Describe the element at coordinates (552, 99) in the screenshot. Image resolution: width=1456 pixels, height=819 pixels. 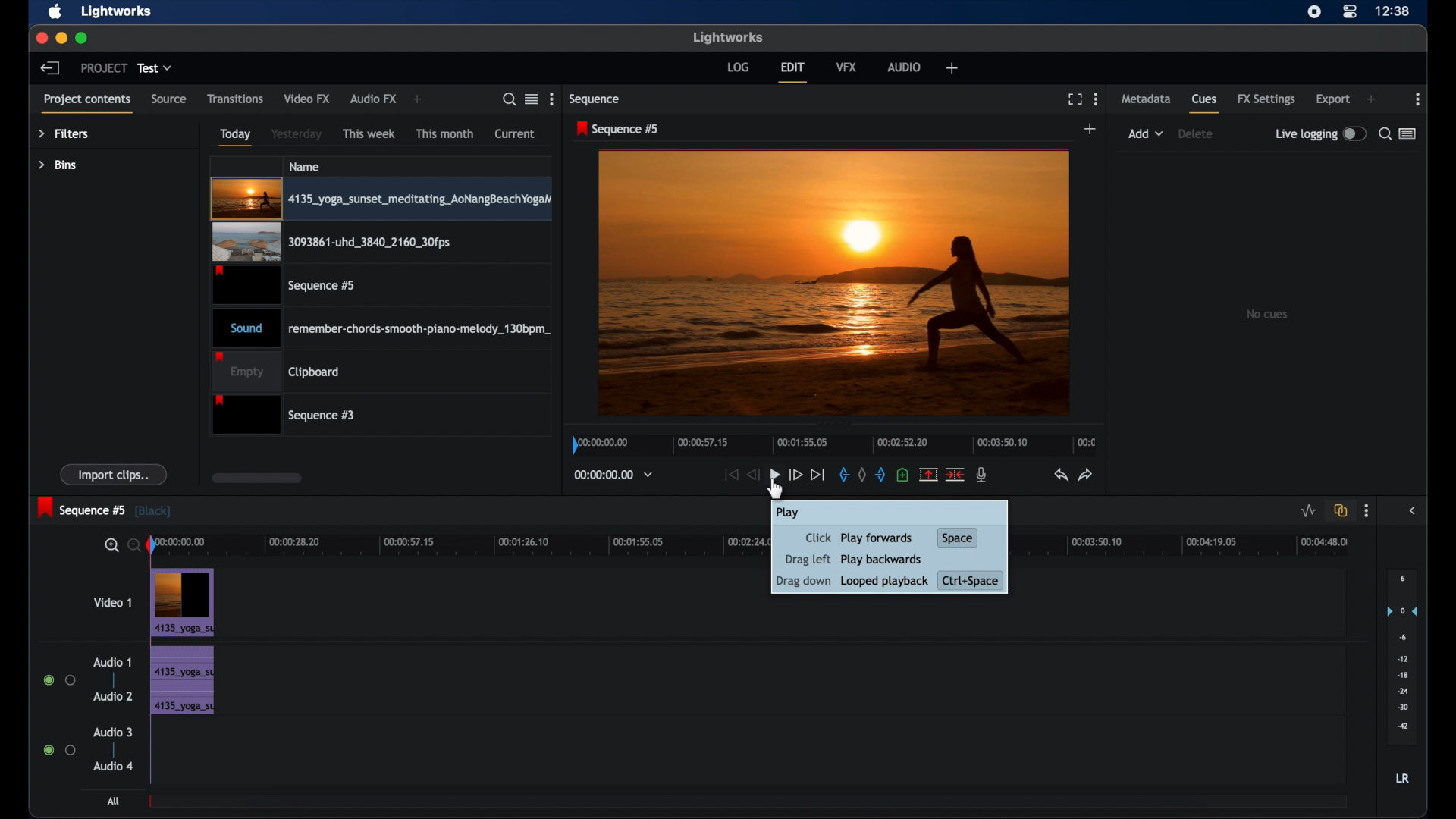
I see `more options` at that location.